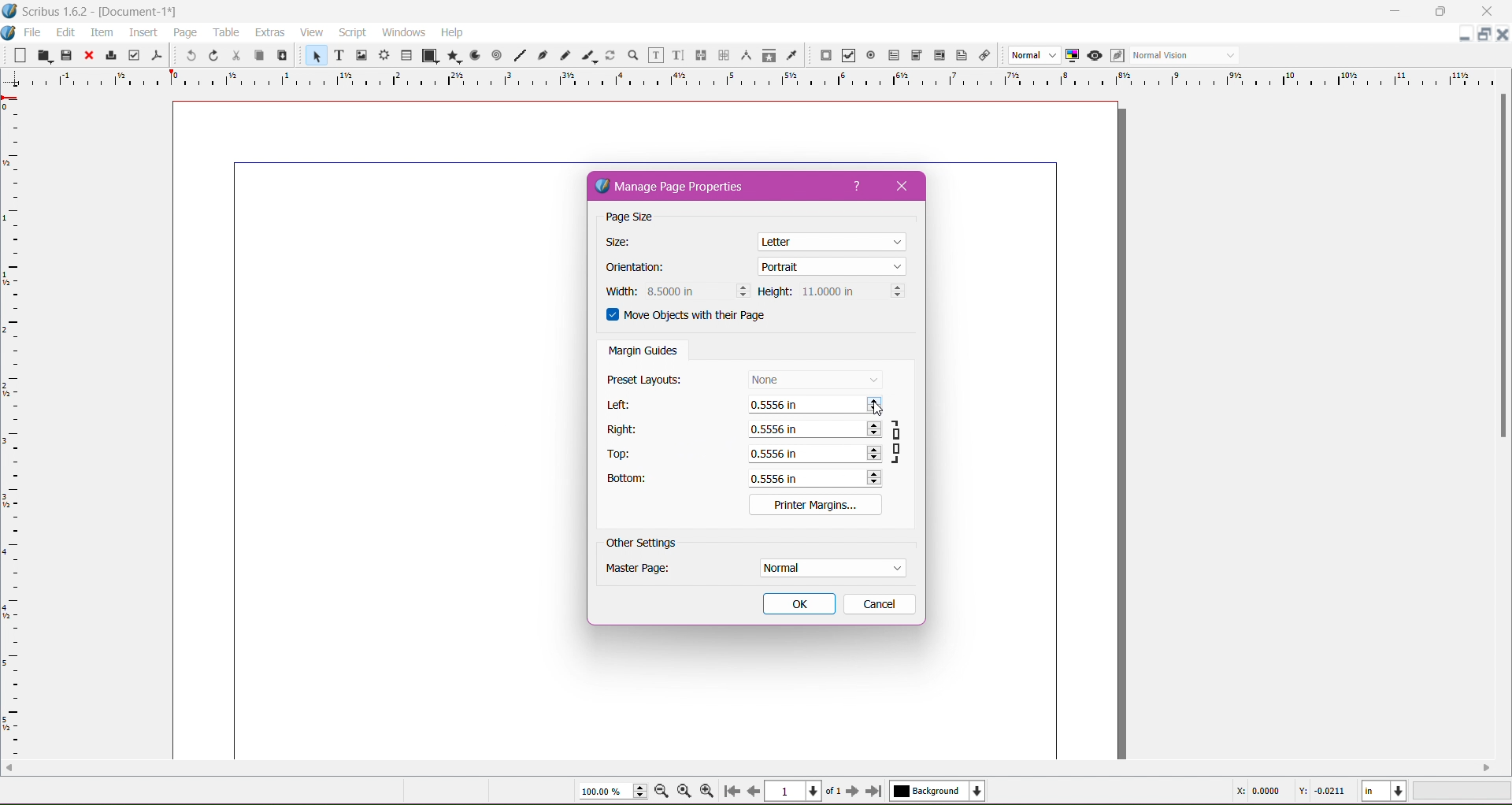 The width and height of the screenshot is (1512, 805). Describe the element at coordinates (642, 543) in the screenshot. I see `Other Settings` at that location.